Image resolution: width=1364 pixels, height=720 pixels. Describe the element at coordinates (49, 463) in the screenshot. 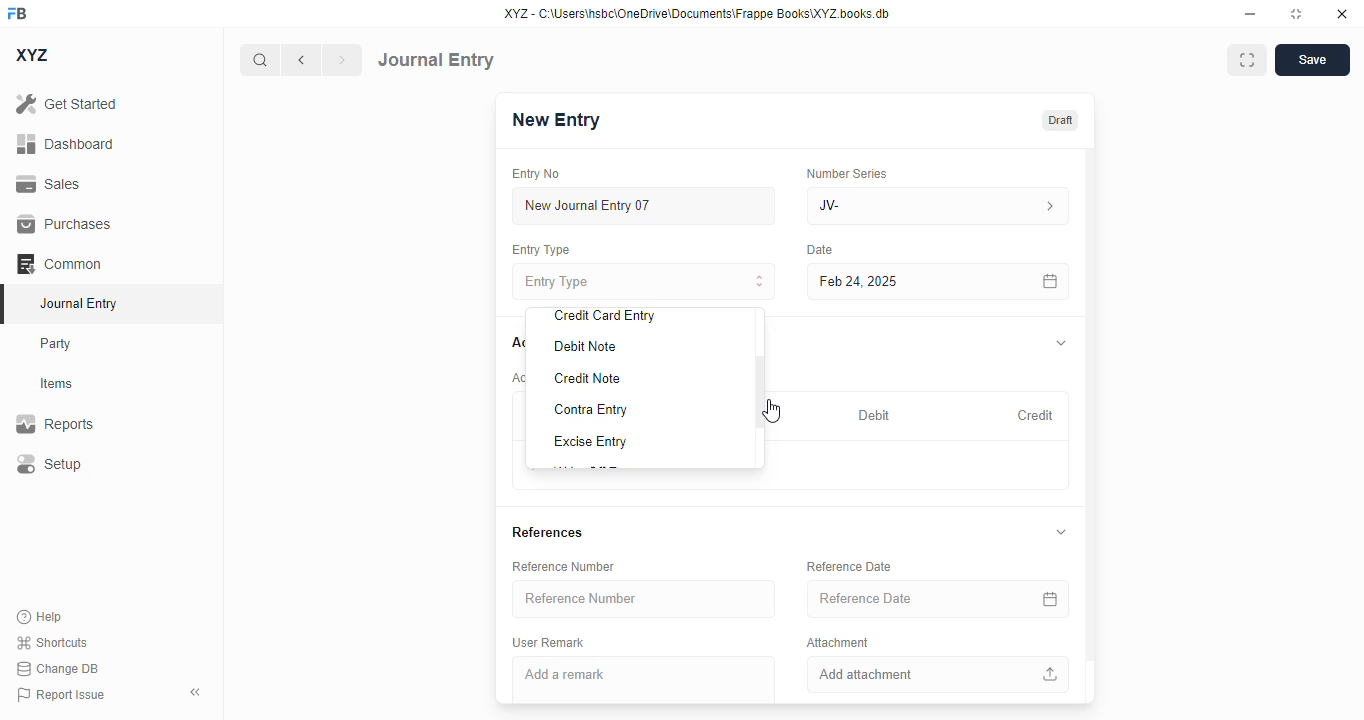

I see `setup` at that location.